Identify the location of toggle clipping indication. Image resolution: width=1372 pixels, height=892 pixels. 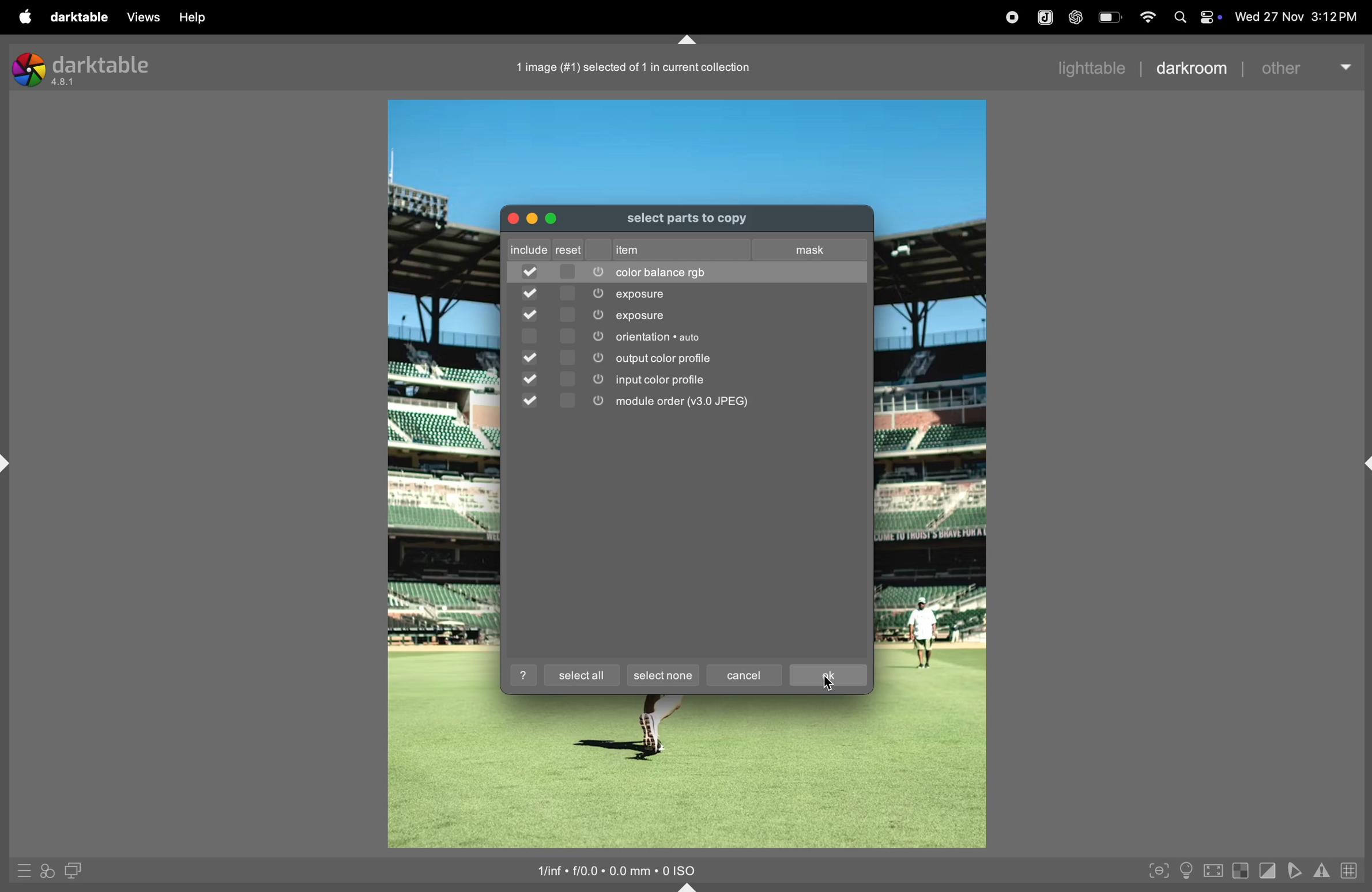
(1266, 871).